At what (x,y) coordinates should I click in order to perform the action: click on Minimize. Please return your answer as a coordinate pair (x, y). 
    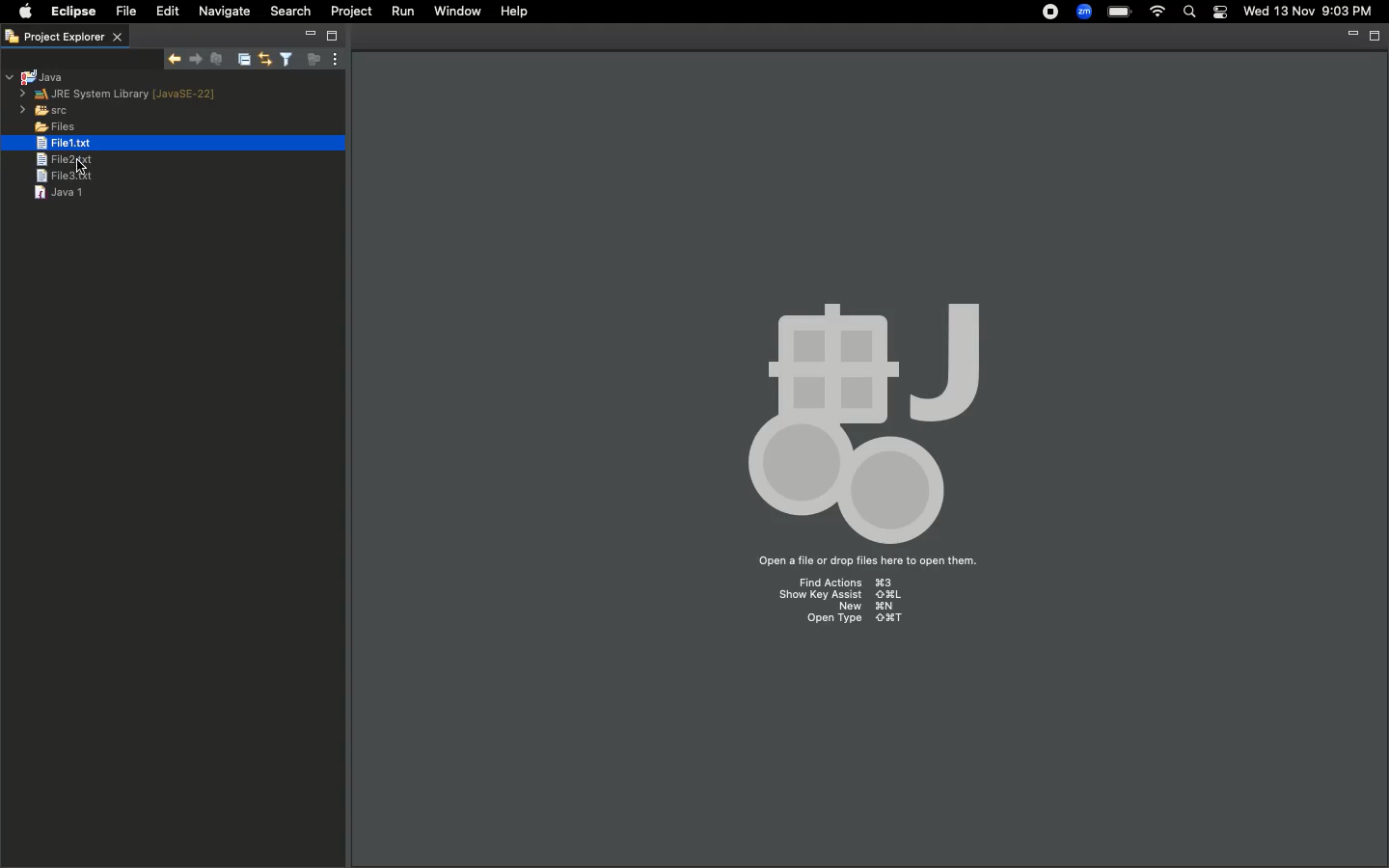
    Looking at the image, I should click on (311, 34).